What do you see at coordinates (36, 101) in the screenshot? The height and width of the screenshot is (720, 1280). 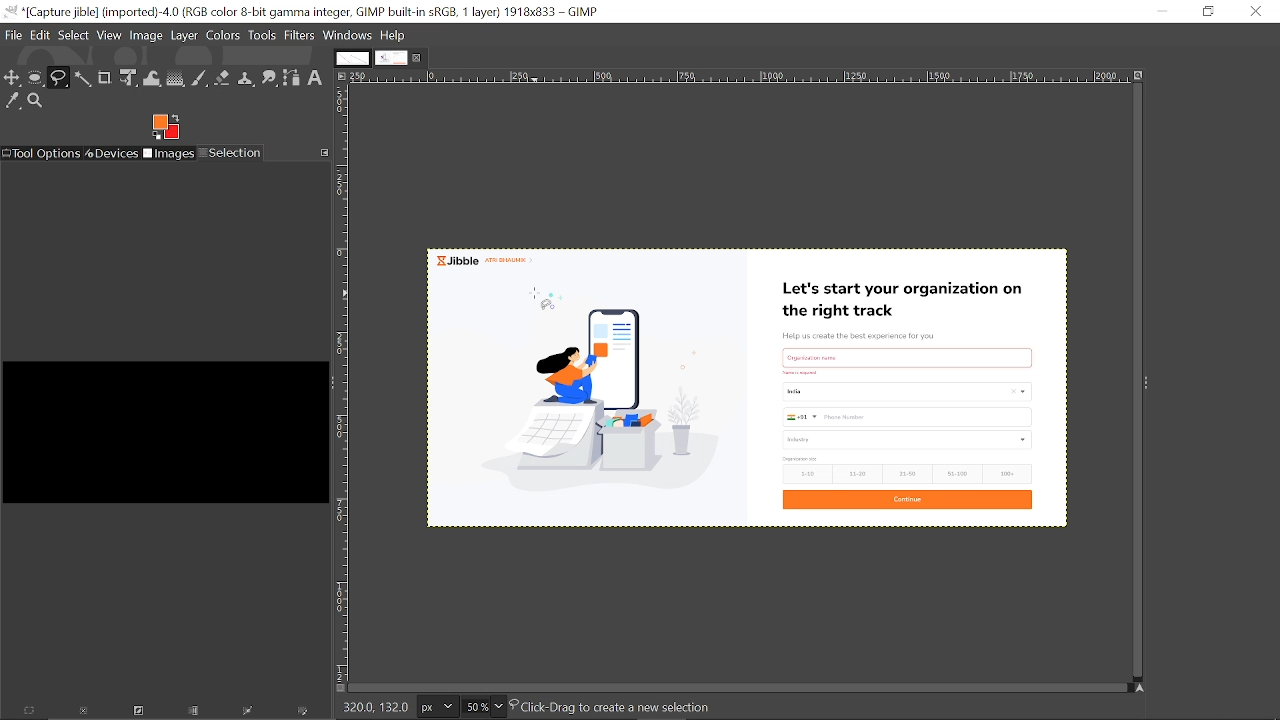 I see `Zoom tool` at bounding box center [36, 101].